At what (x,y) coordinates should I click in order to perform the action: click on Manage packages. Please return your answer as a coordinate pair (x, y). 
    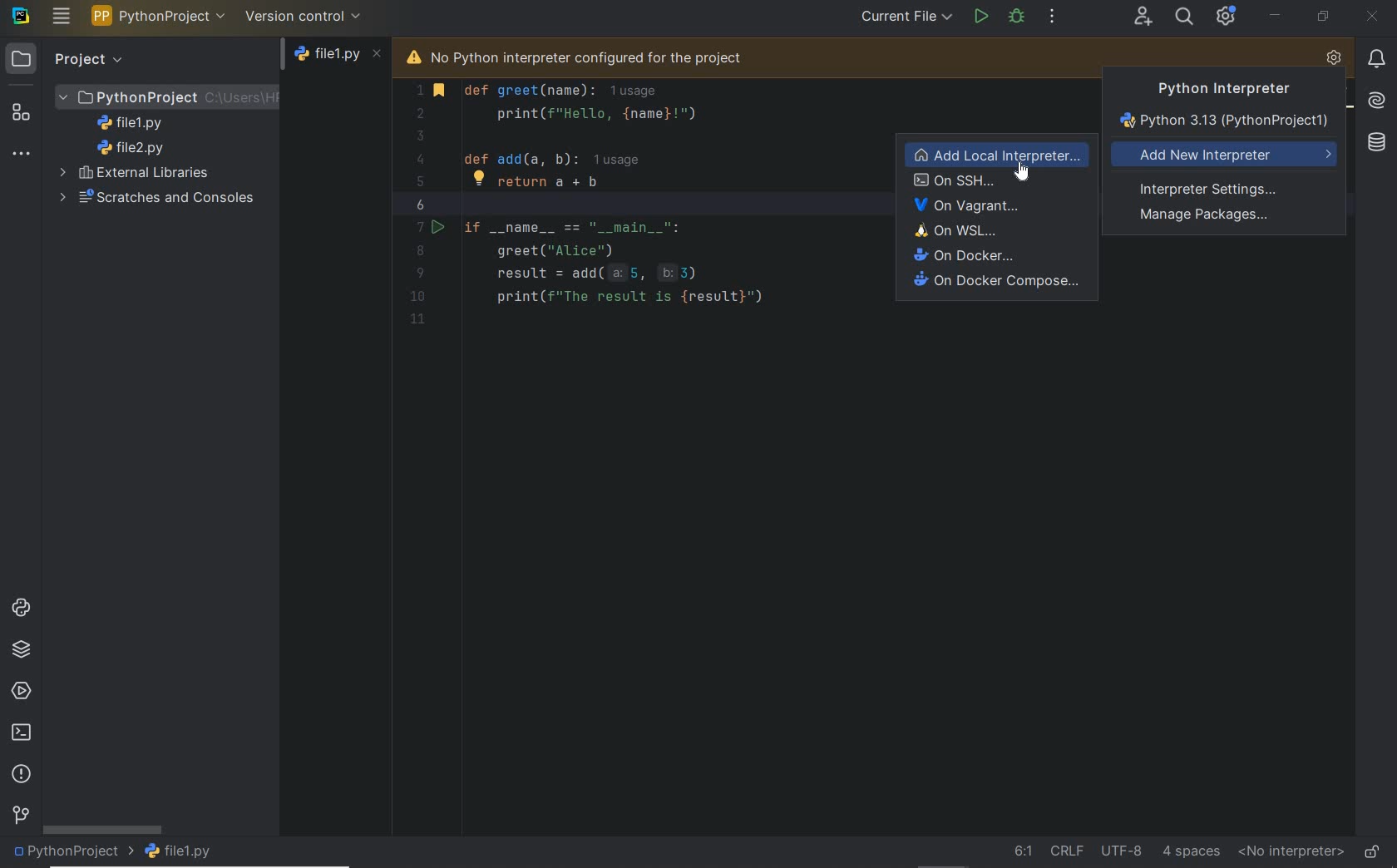
    Looking at the image, I should click on (1207, 217).